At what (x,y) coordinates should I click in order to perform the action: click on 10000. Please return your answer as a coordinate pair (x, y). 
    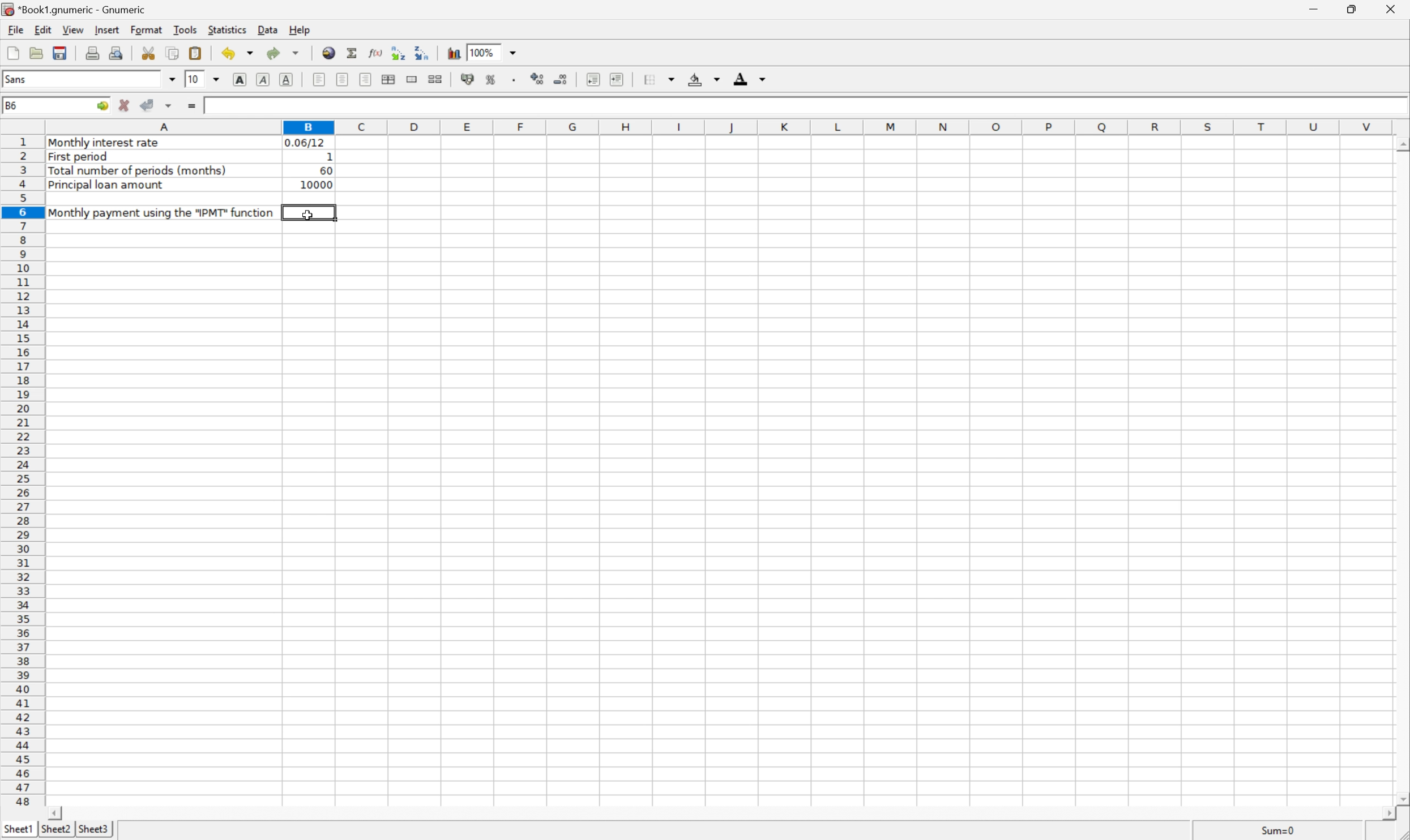
    Looking at the image, I should click on (313, 186).